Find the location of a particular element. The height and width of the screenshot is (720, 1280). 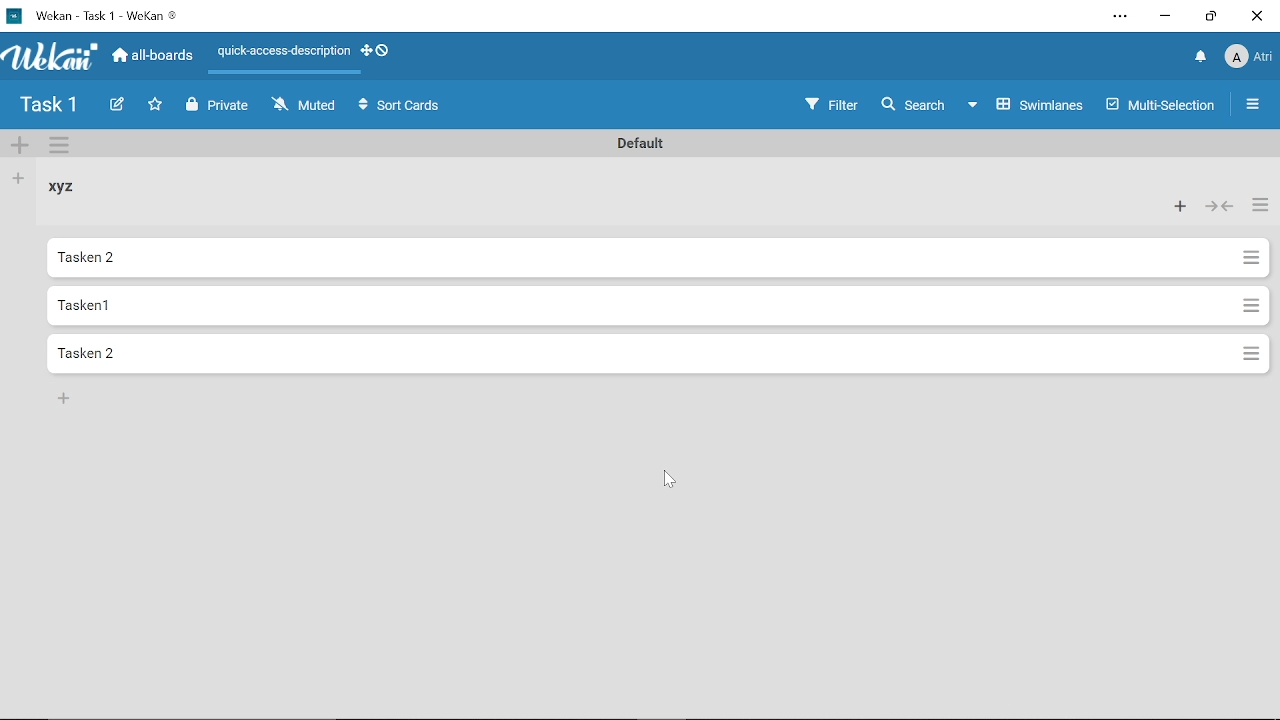

Rename is located at coordinates (636, 142).